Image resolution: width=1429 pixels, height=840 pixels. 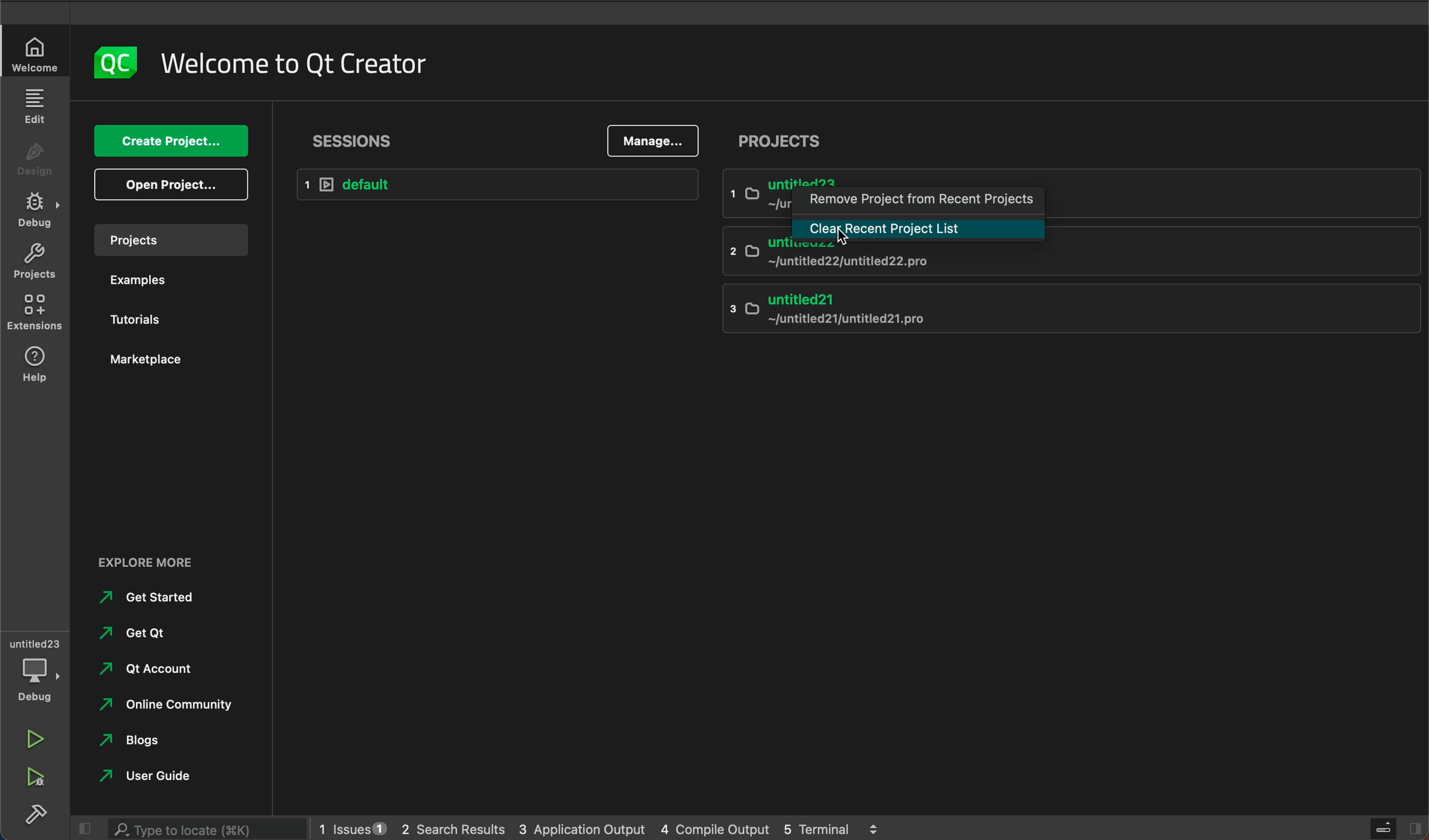 I want to click on project, so click(x=34, y=264).